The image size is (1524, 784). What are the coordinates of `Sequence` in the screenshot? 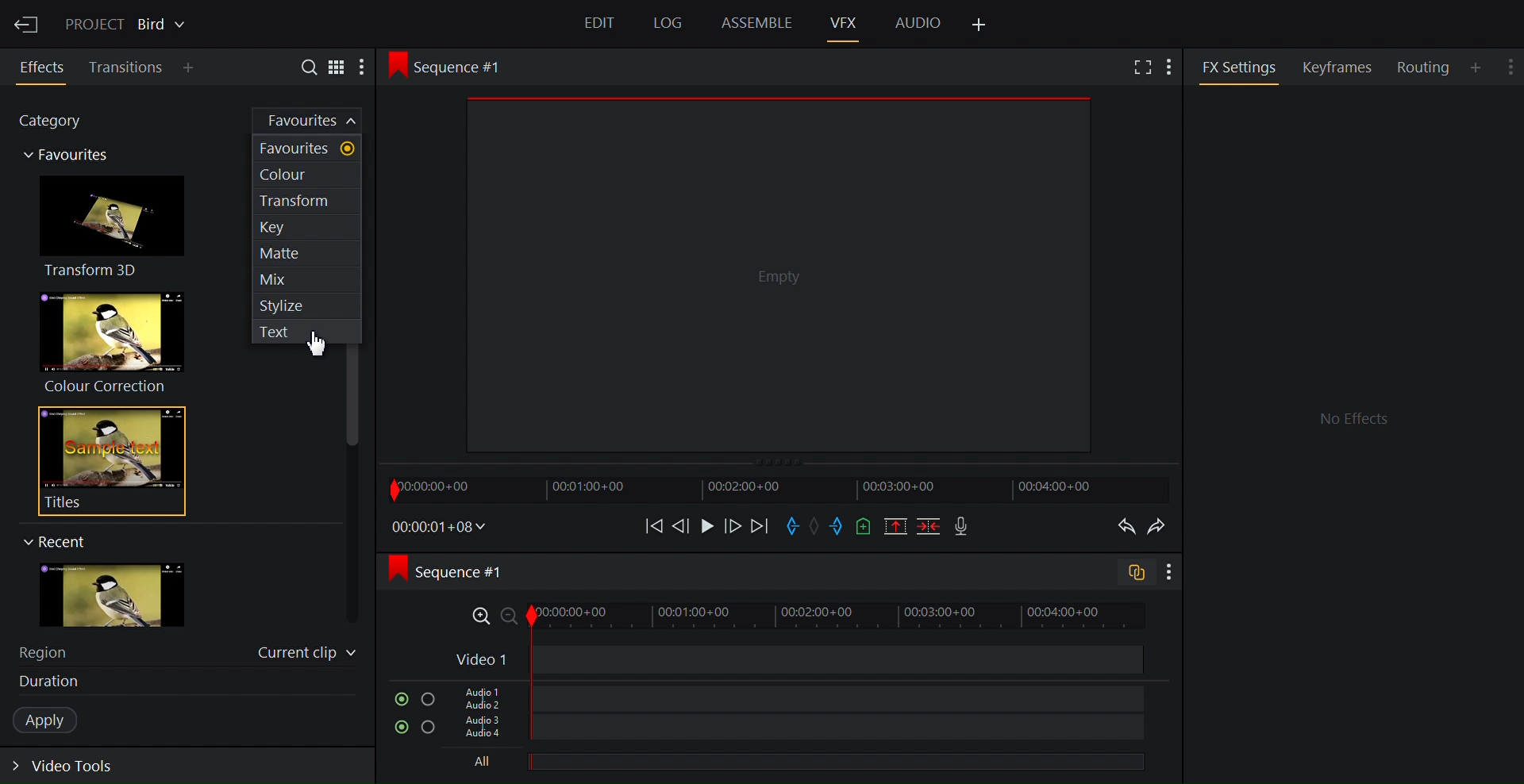 It's located at (464, 571).